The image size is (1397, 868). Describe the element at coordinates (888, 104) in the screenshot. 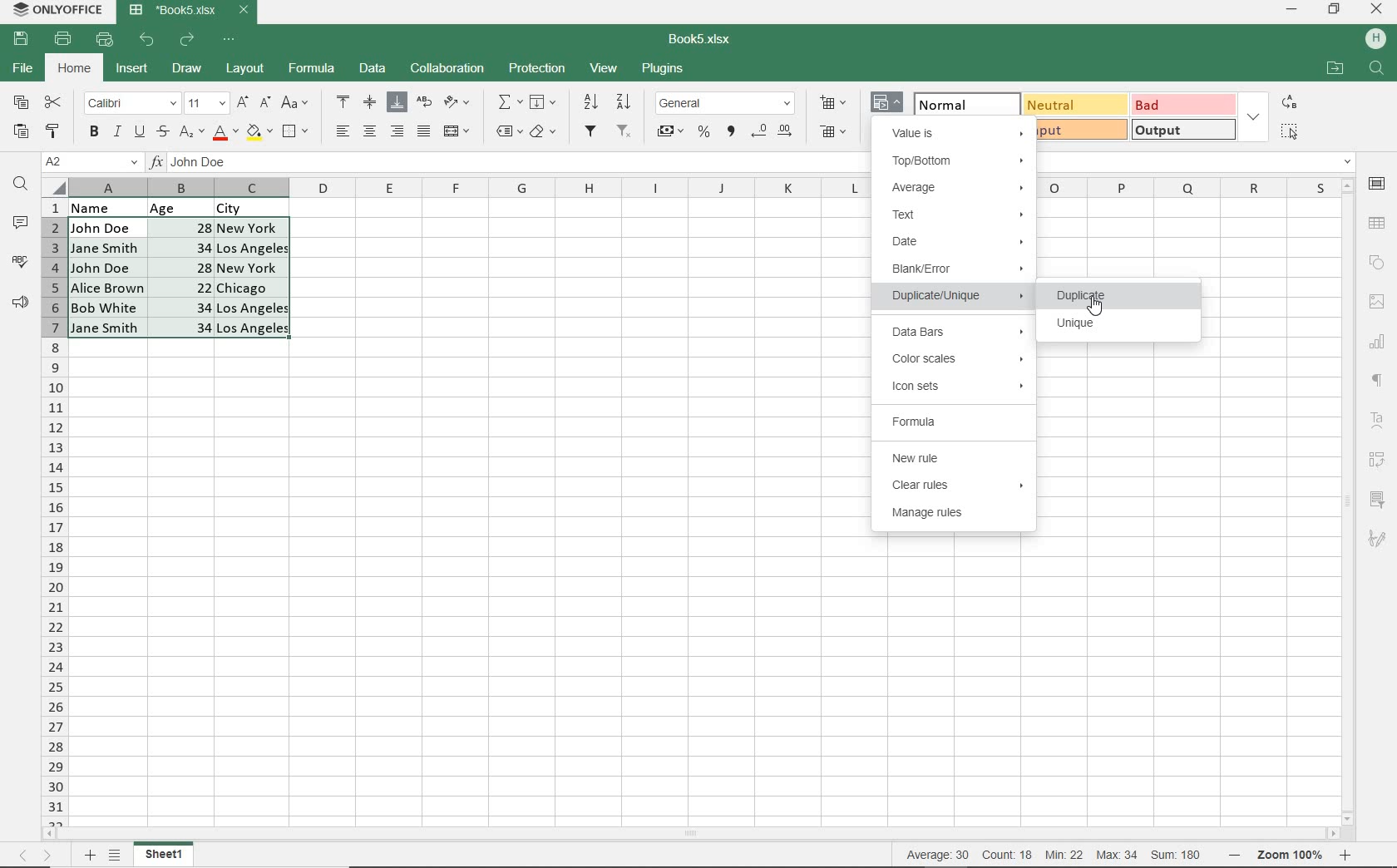

I see `CONDITIONAL FORMATTING` at that location.